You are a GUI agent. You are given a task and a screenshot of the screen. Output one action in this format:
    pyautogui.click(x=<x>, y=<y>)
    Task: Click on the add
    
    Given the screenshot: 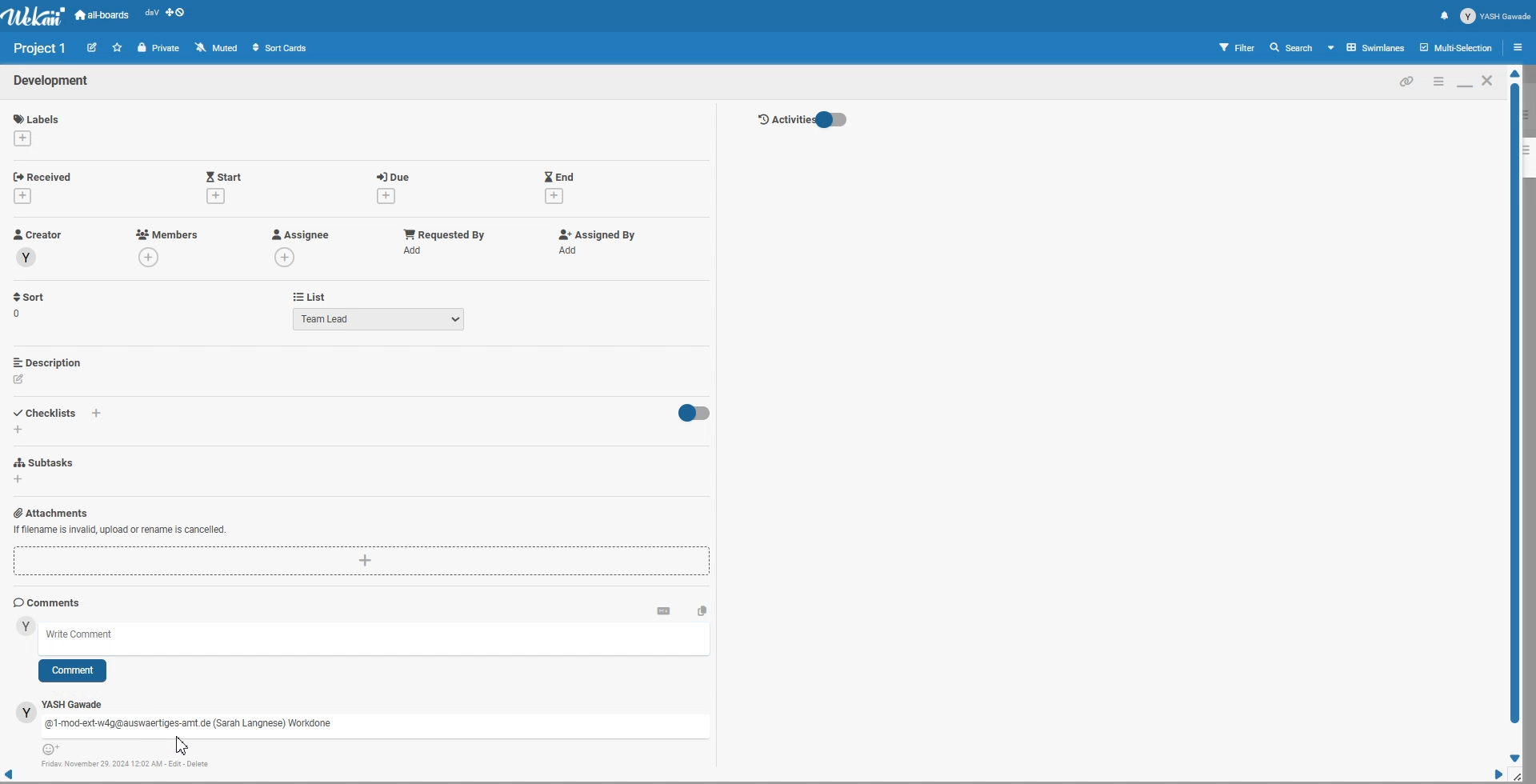 What is the action you would take?
    pyautogui.click(x=215, y=195)
    